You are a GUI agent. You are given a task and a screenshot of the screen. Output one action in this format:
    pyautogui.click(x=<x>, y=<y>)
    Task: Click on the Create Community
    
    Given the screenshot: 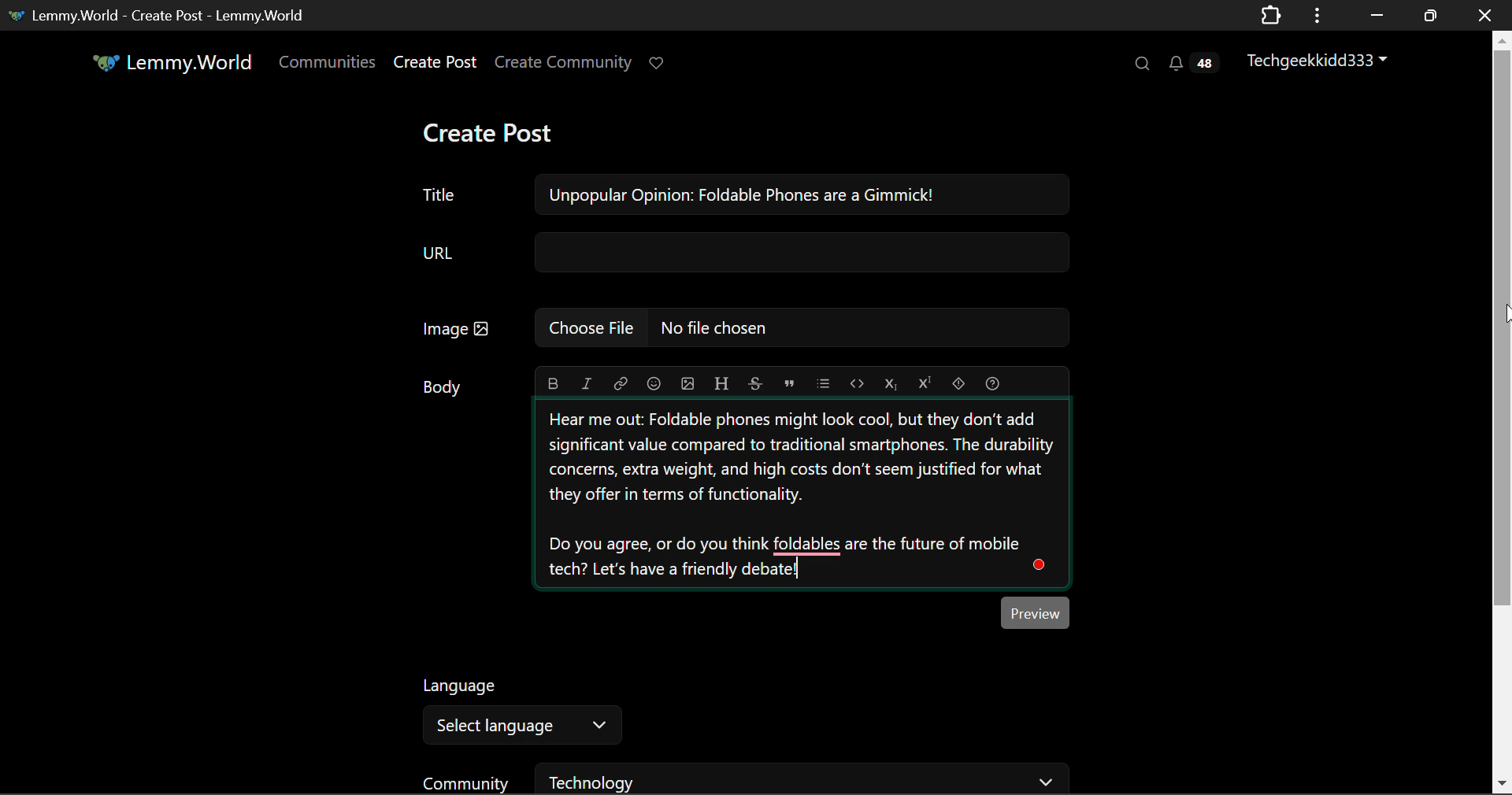 What is the action you would take?
    pyautogui.click(x=563, y=65)
    